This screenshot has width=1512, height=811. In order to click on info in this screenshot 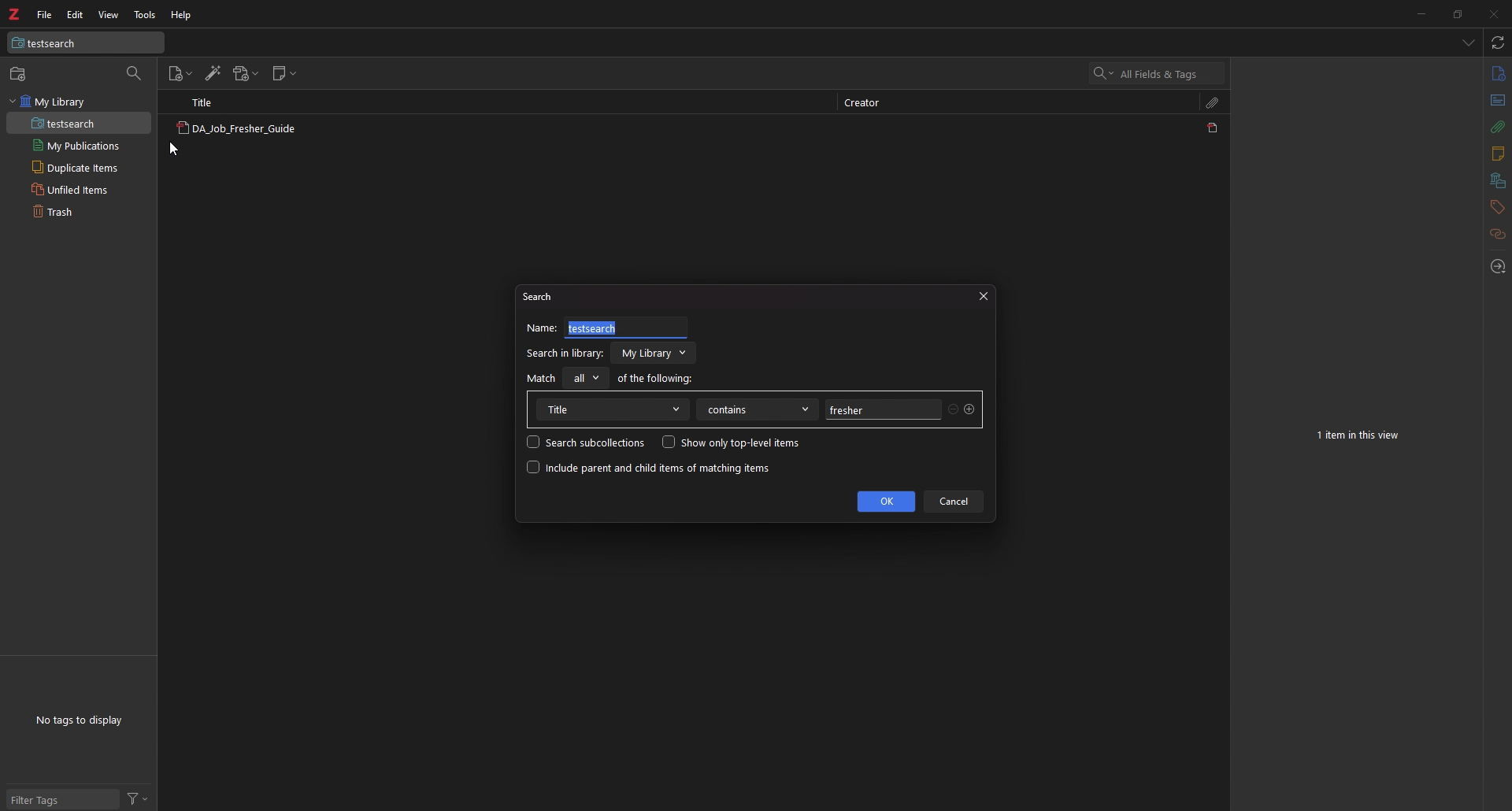, I will do `click(1498, 73)`.